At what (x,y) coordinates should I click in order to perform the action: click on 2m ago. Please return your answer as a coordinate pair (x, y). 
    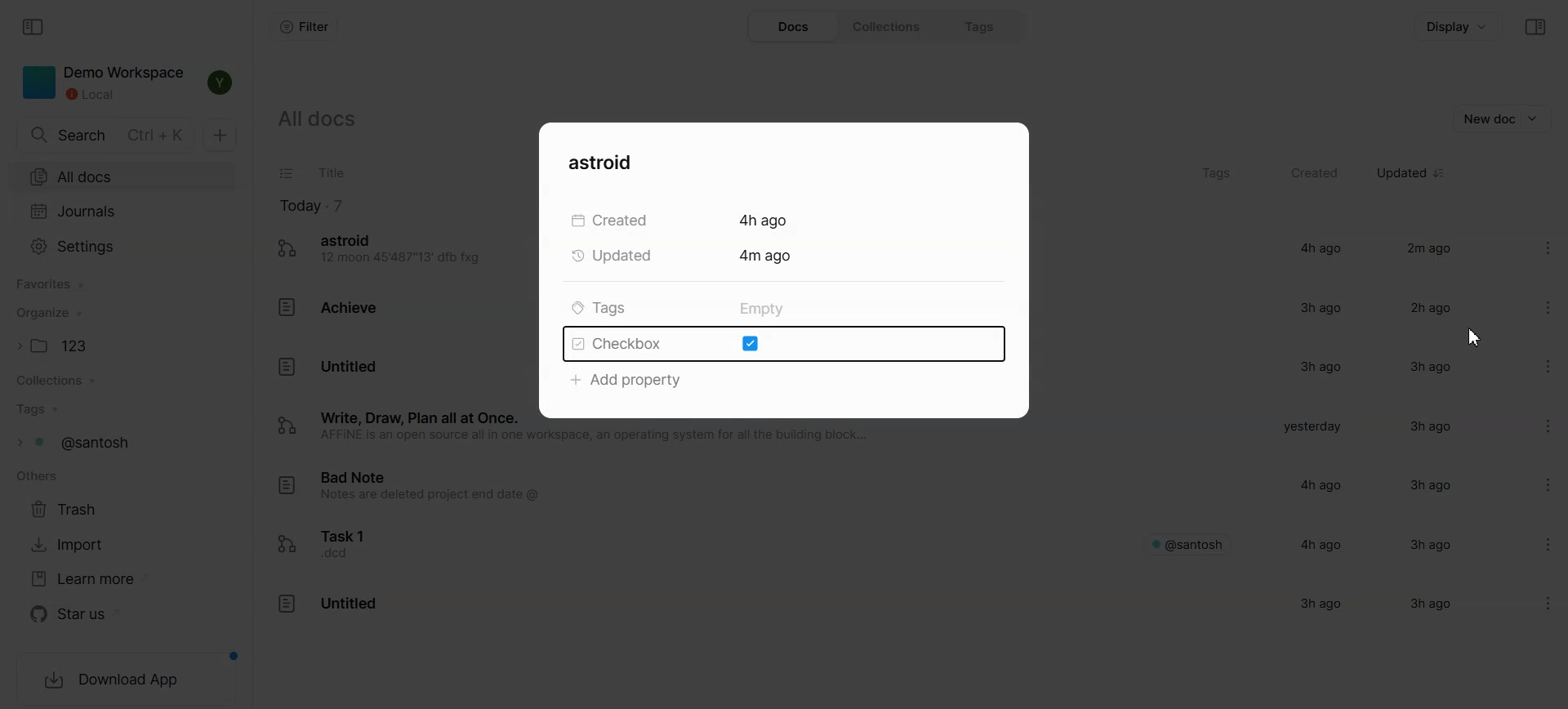
    Looking at the image, I should click on (1430, 250).